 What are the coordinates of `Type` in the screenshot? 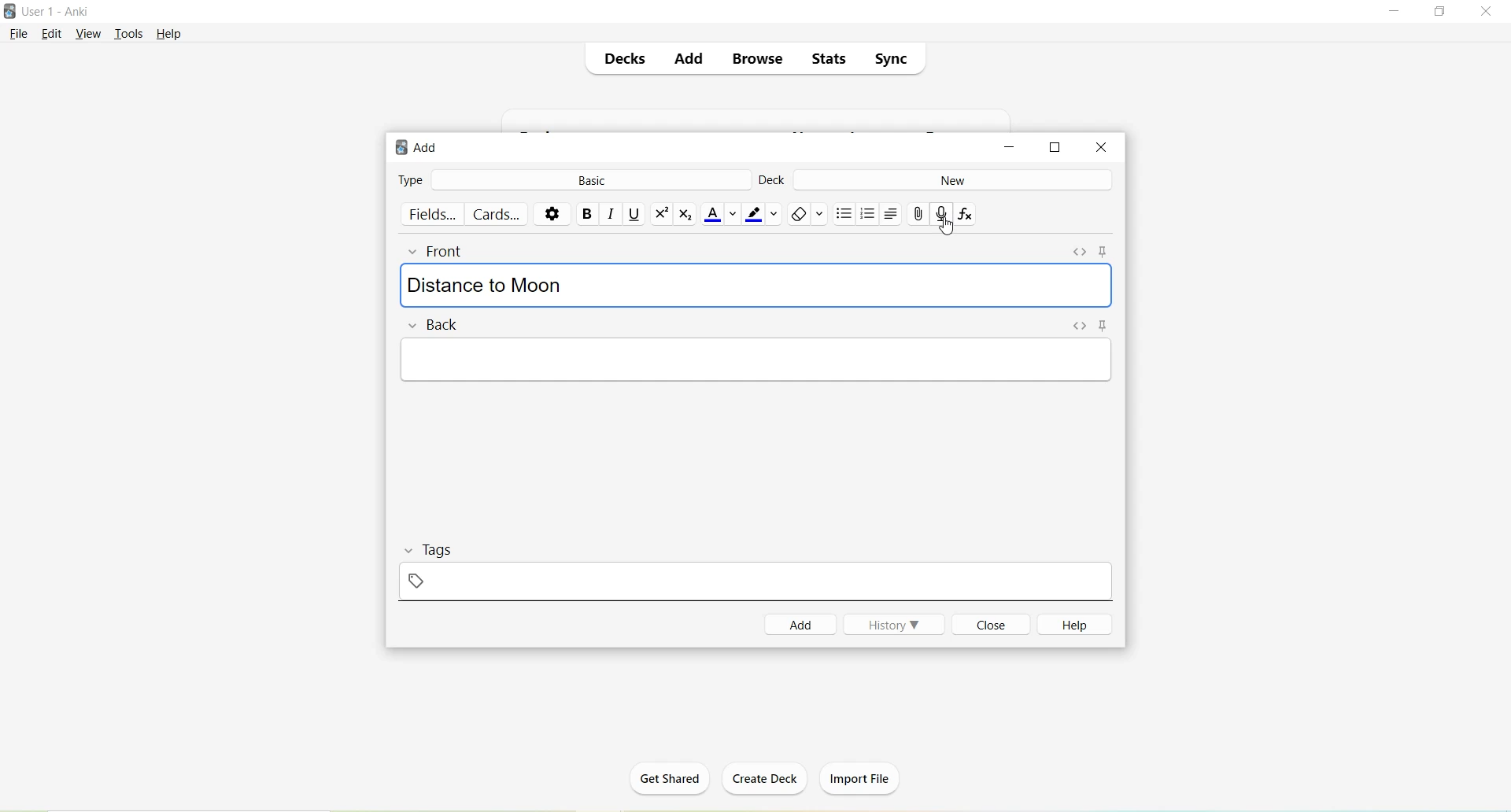 It's located at (411, 179).